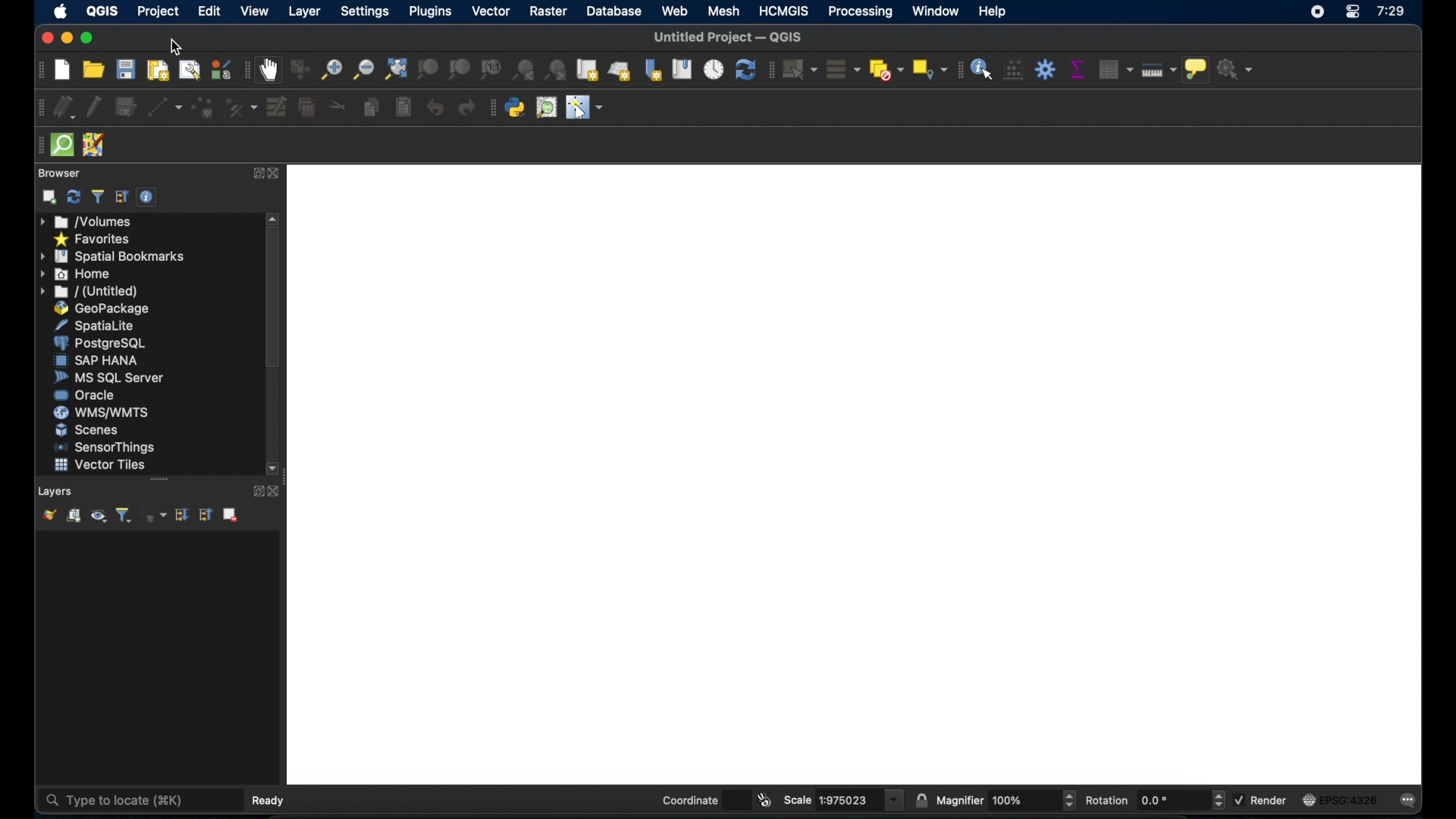 The width and height of the screenshot is (1456, 819). What do you see at coordinates (39, 108) in the screenshot?
I see `digitizing toolbar` at bounding box center [39, 108].